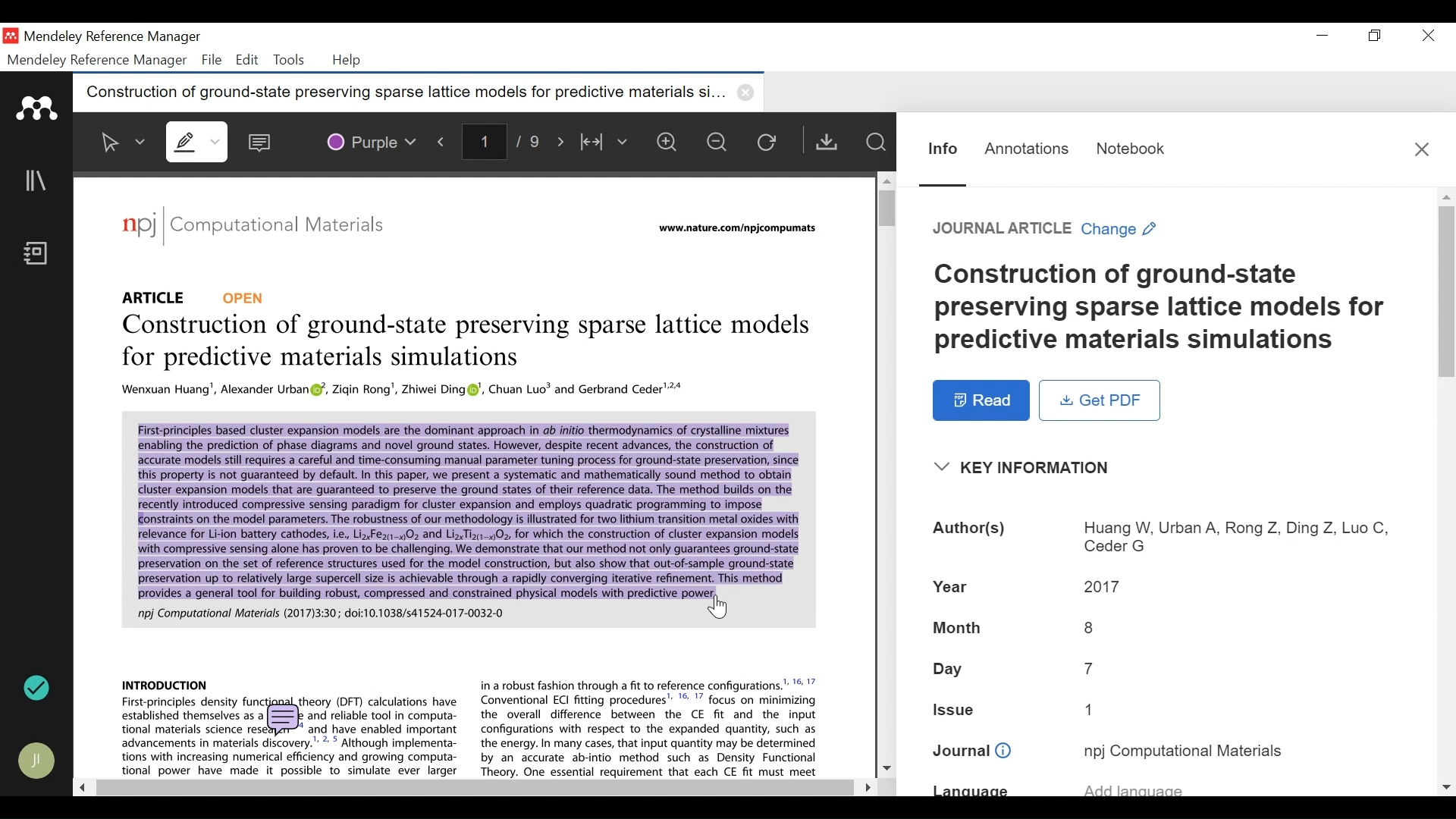 This screenshot has height=819, width=1456. I want to click on Horizontal Scroll bar, so click(472, 788).